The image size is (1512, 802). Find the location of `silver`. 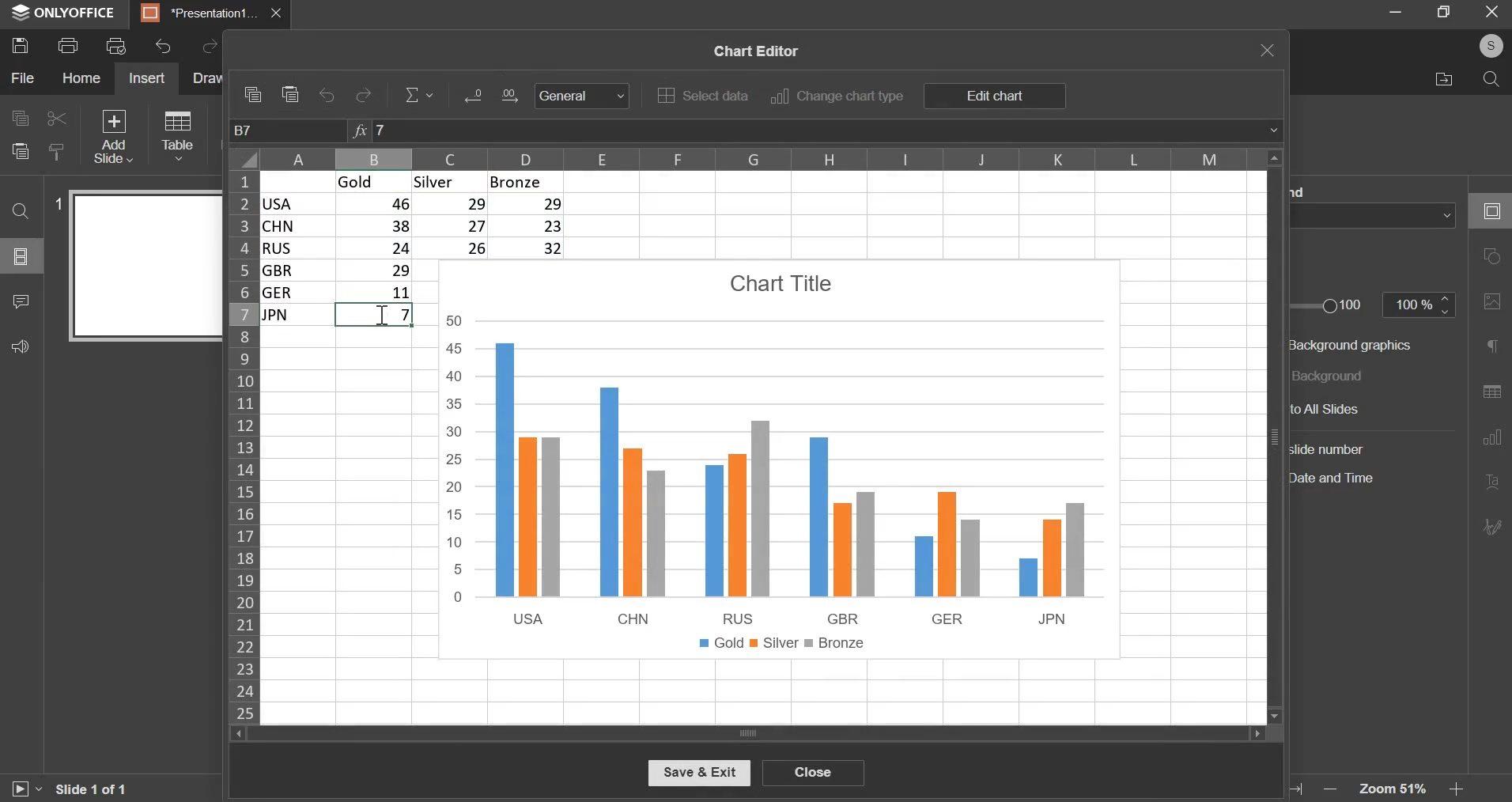

silver is located at coordinates (444, 181).